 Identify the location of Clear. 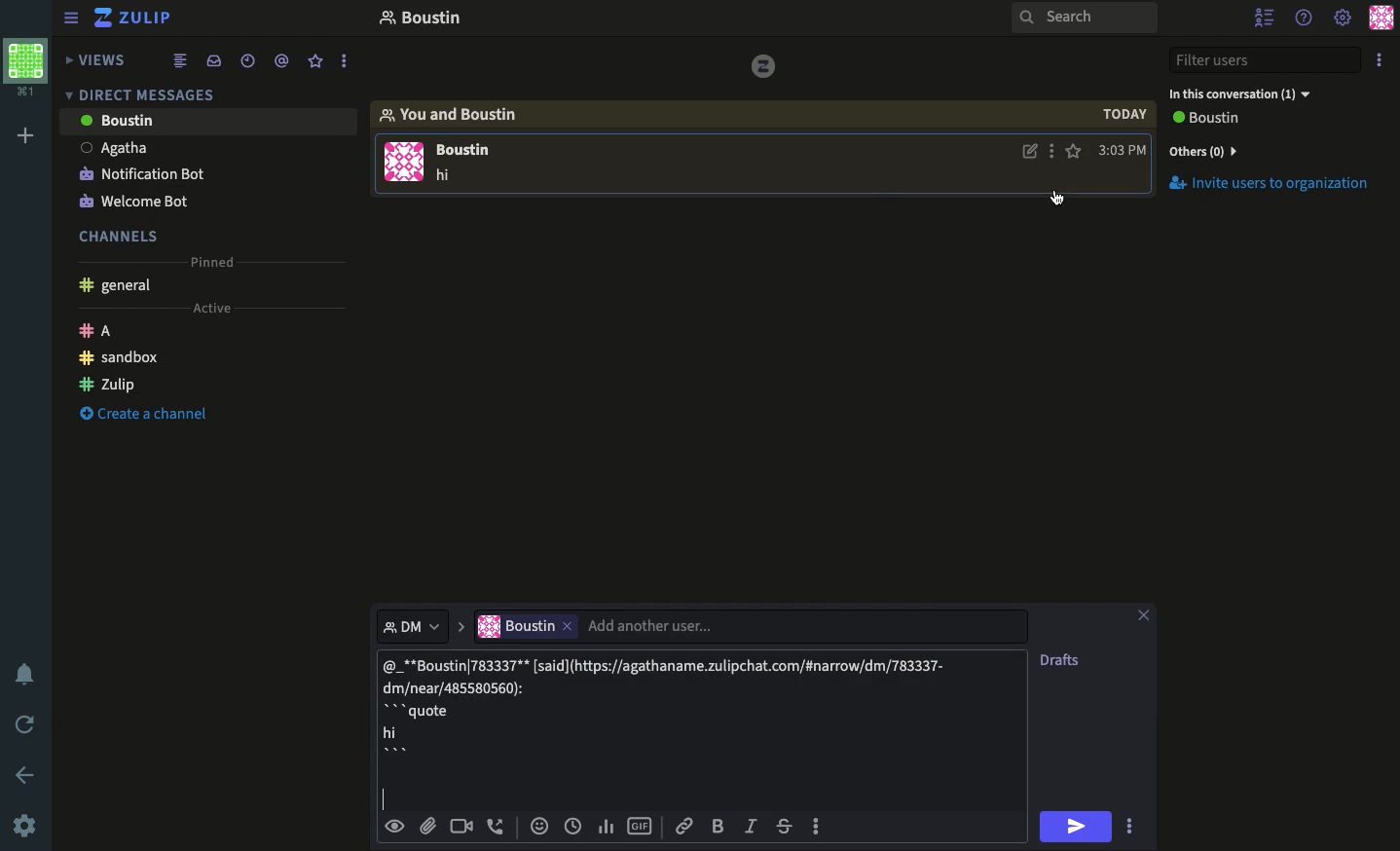
(1152, 613).